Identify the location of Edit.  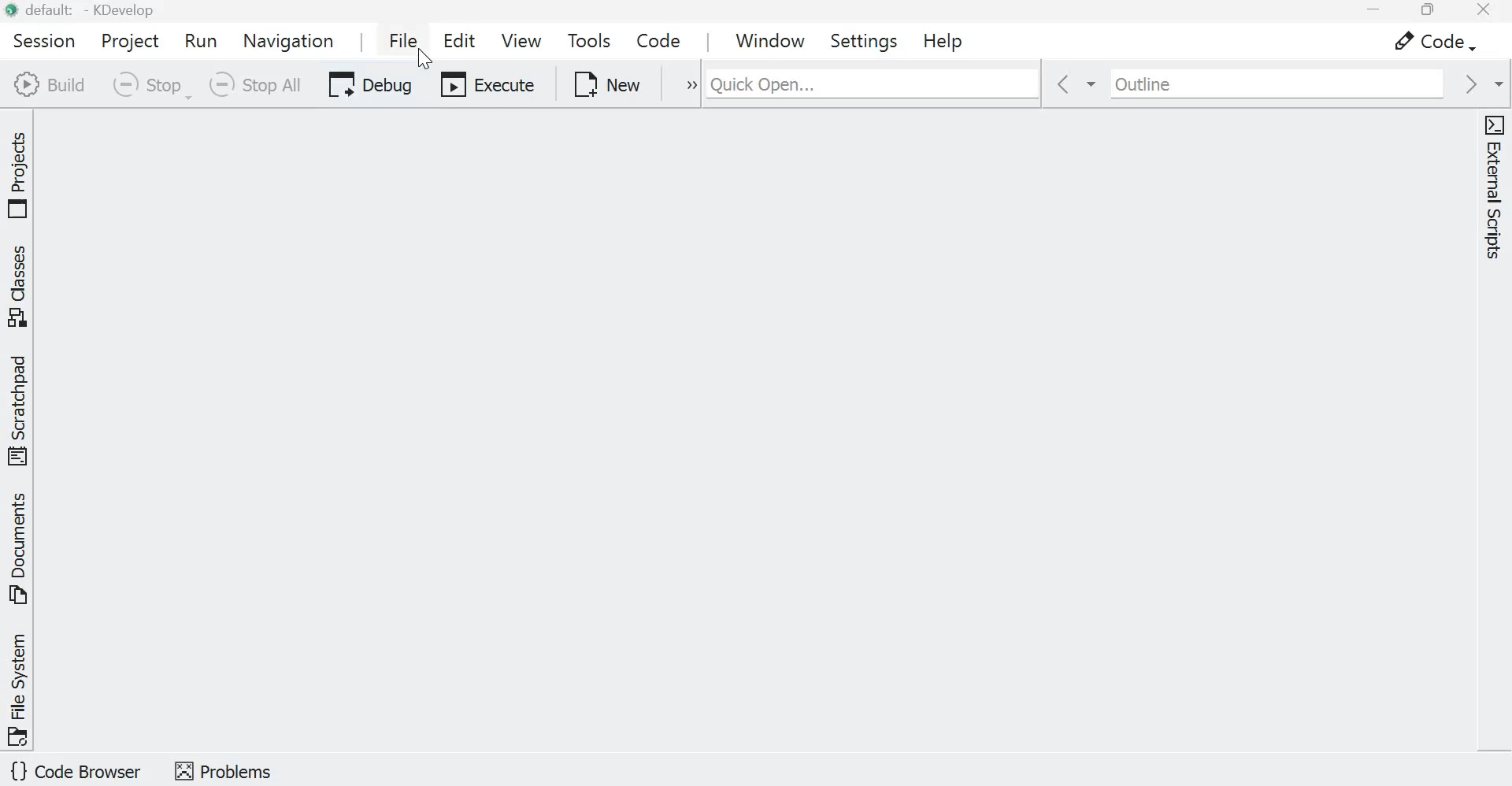
(462, 43).